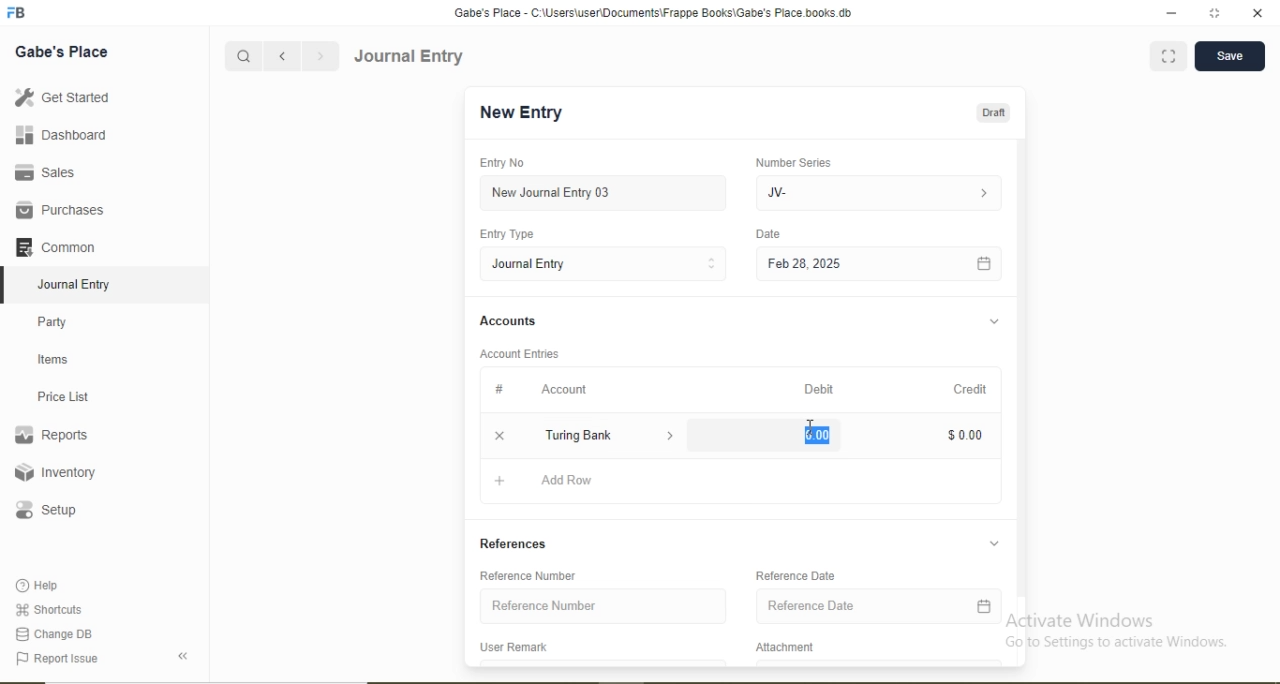 The height and width of the screenshot is (684, 1280). I want to click on Purchases, so click(59, 210).